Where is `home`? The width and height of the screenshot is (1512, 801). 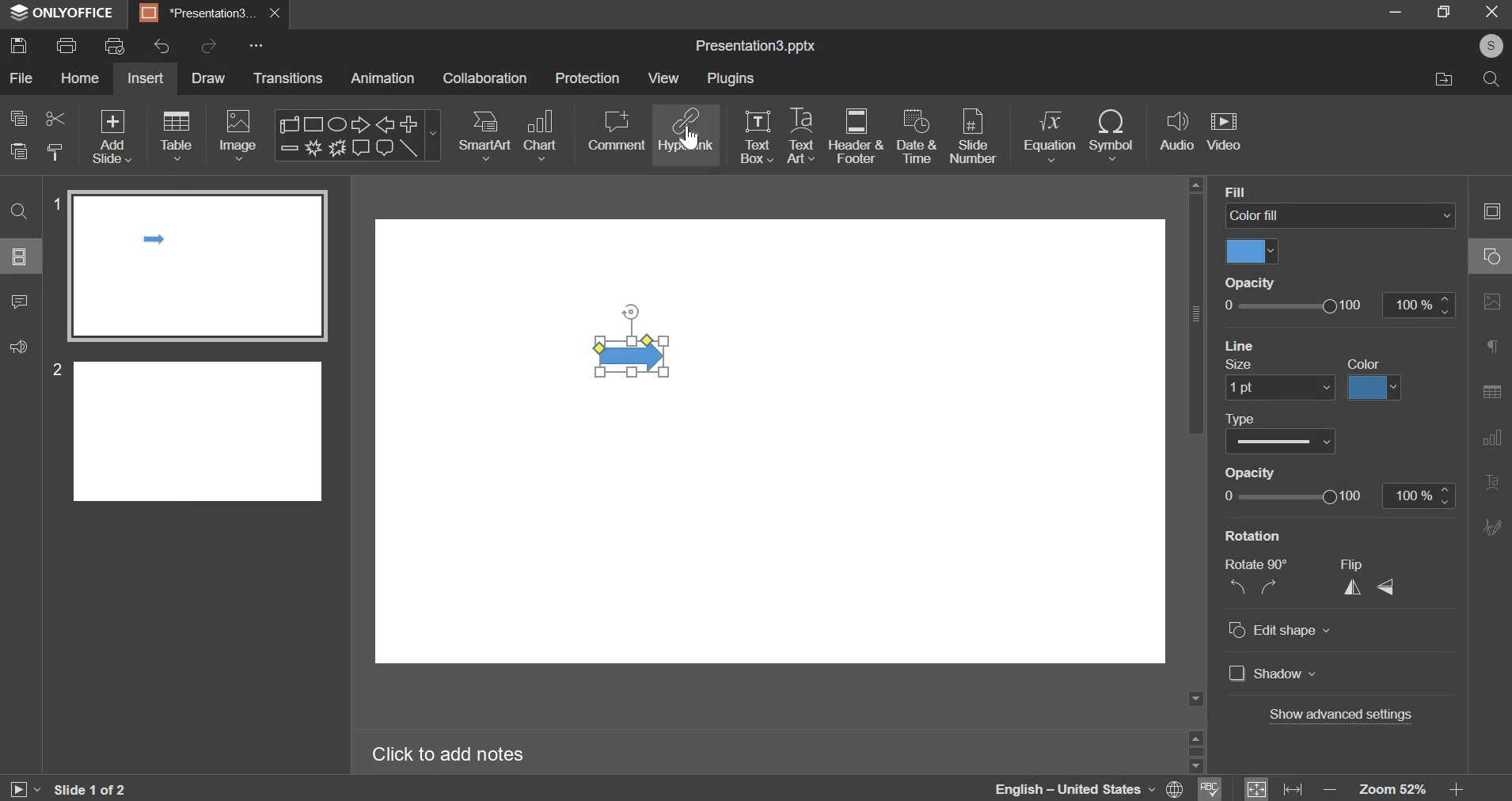 home is located at coordinates (81, 78).